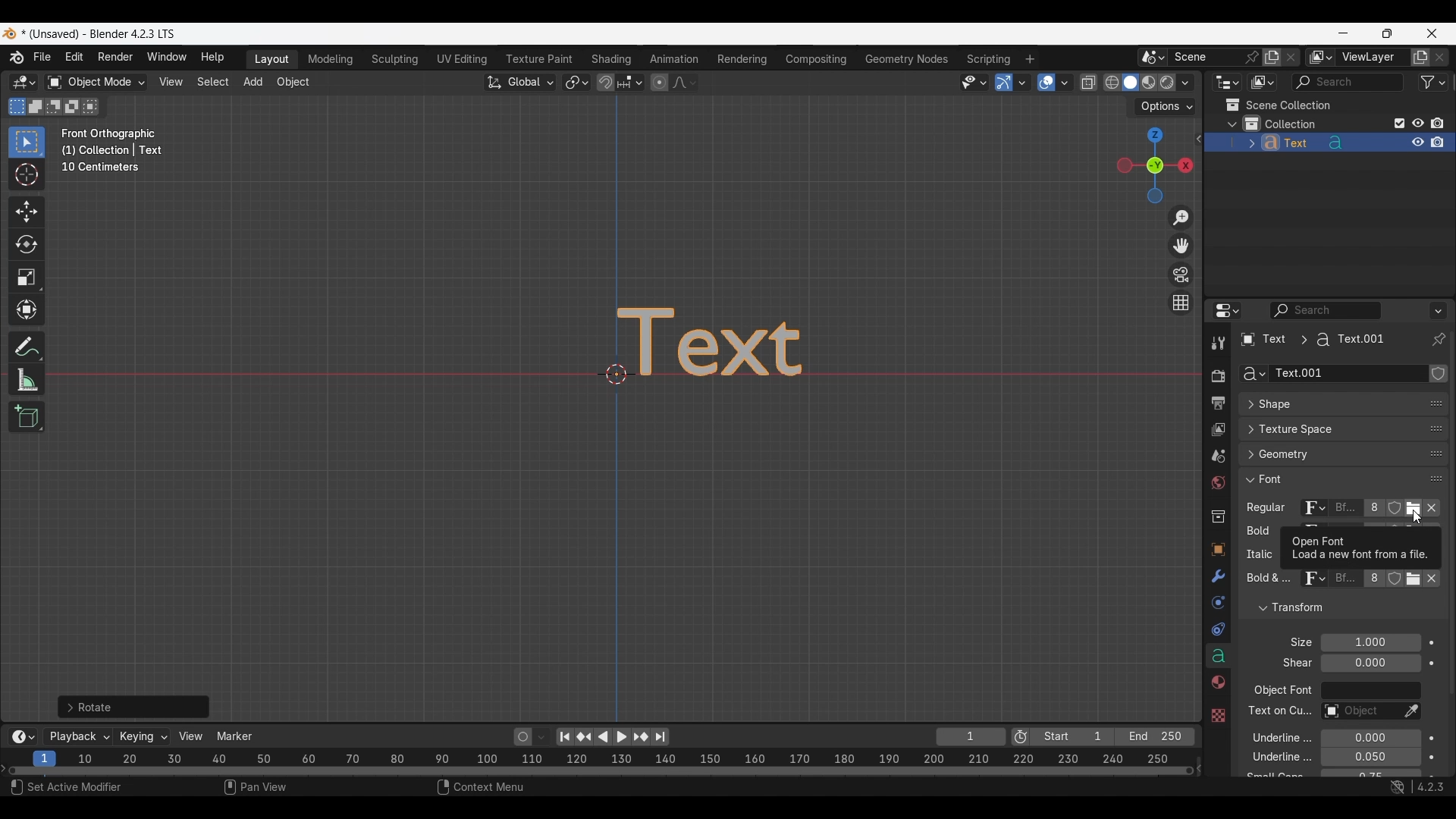 This screenshot has height=819, width=1456. What do you see at coordinates (271, 60) in the screenshot?
I see `Layout workspace, current selection` at bounding box center [271, 60].